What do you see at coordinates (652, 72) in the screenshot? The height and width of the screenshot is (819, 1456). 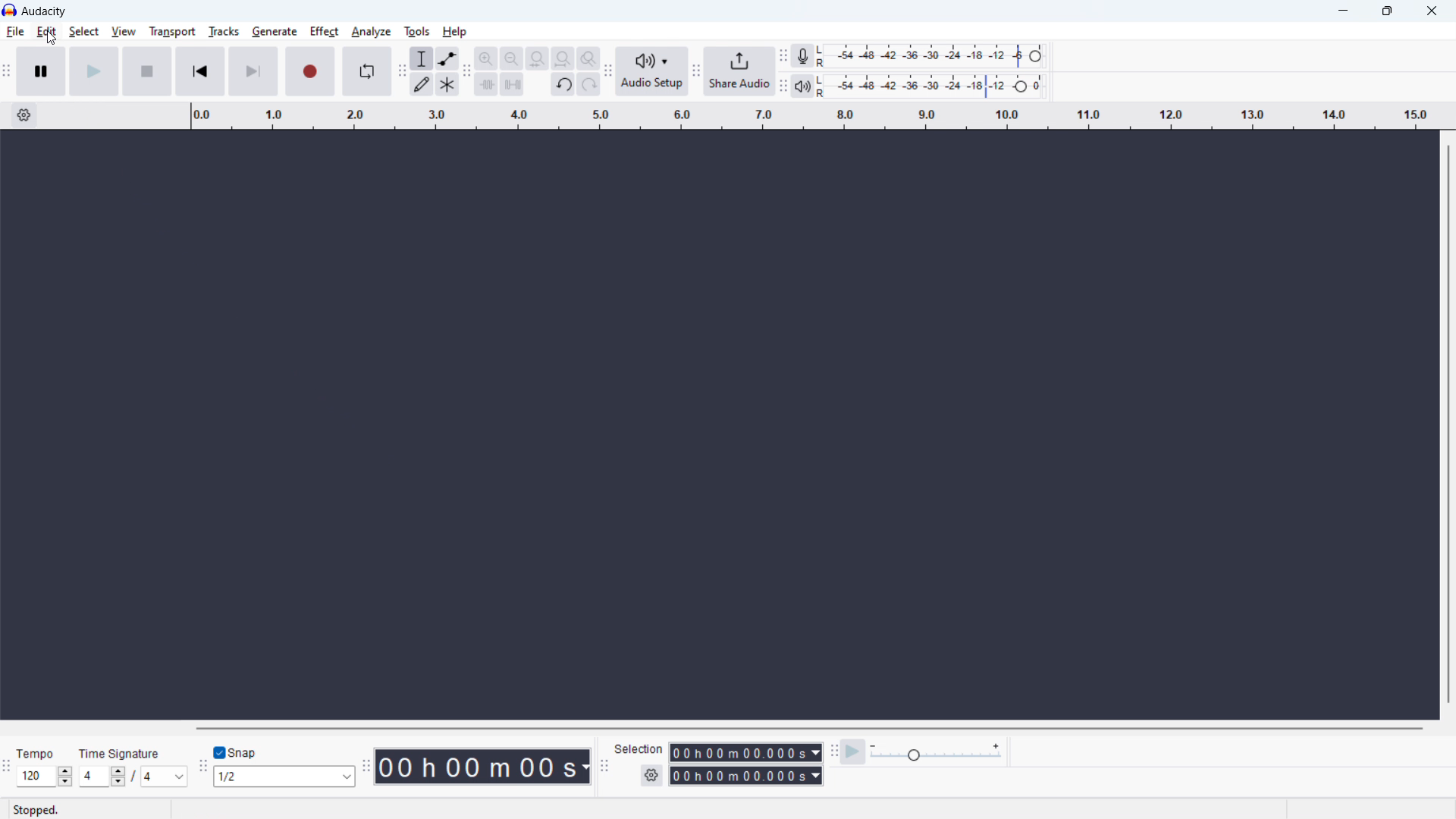 I see `audio setup` at bounding box center [652, 72].